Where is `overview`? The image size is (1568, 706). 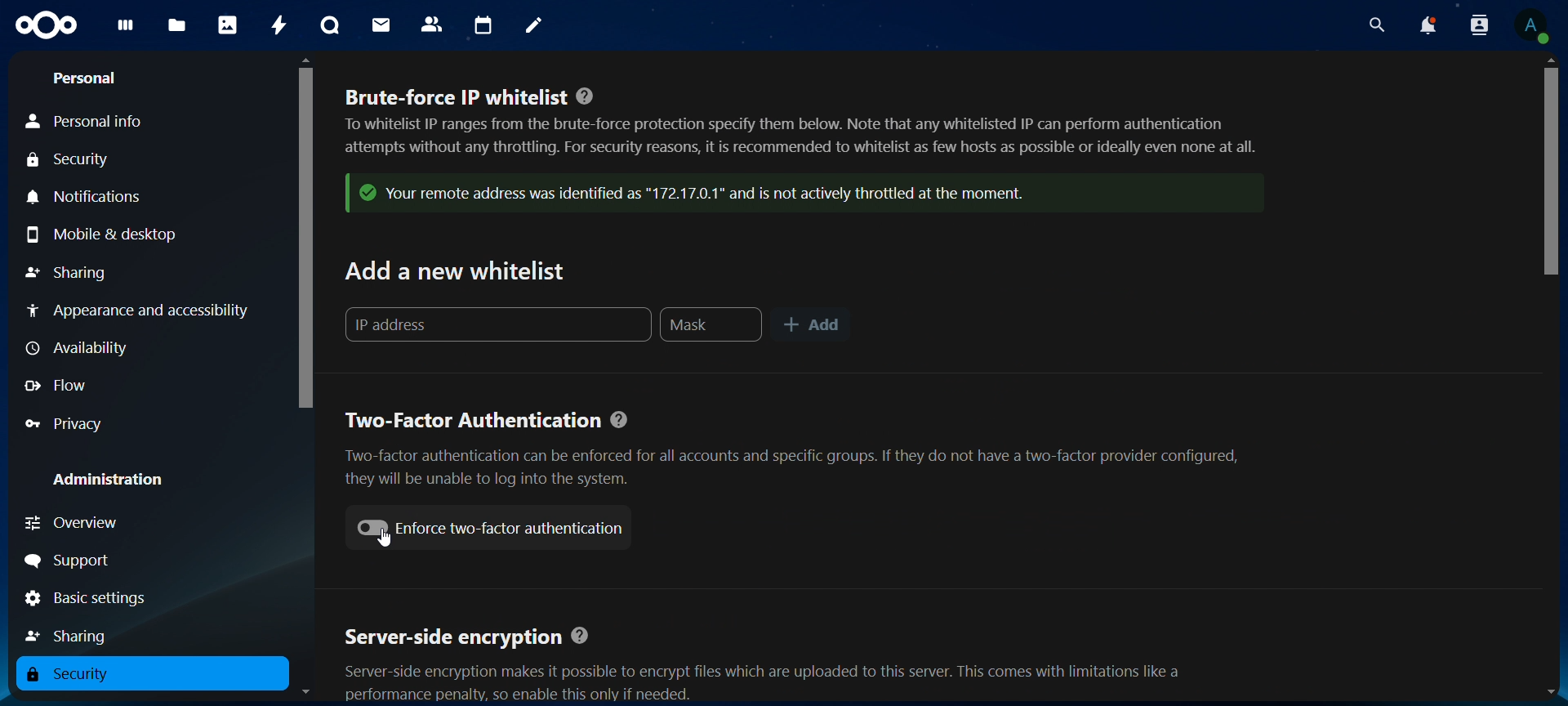 overview is located at coordinates (78, 522).